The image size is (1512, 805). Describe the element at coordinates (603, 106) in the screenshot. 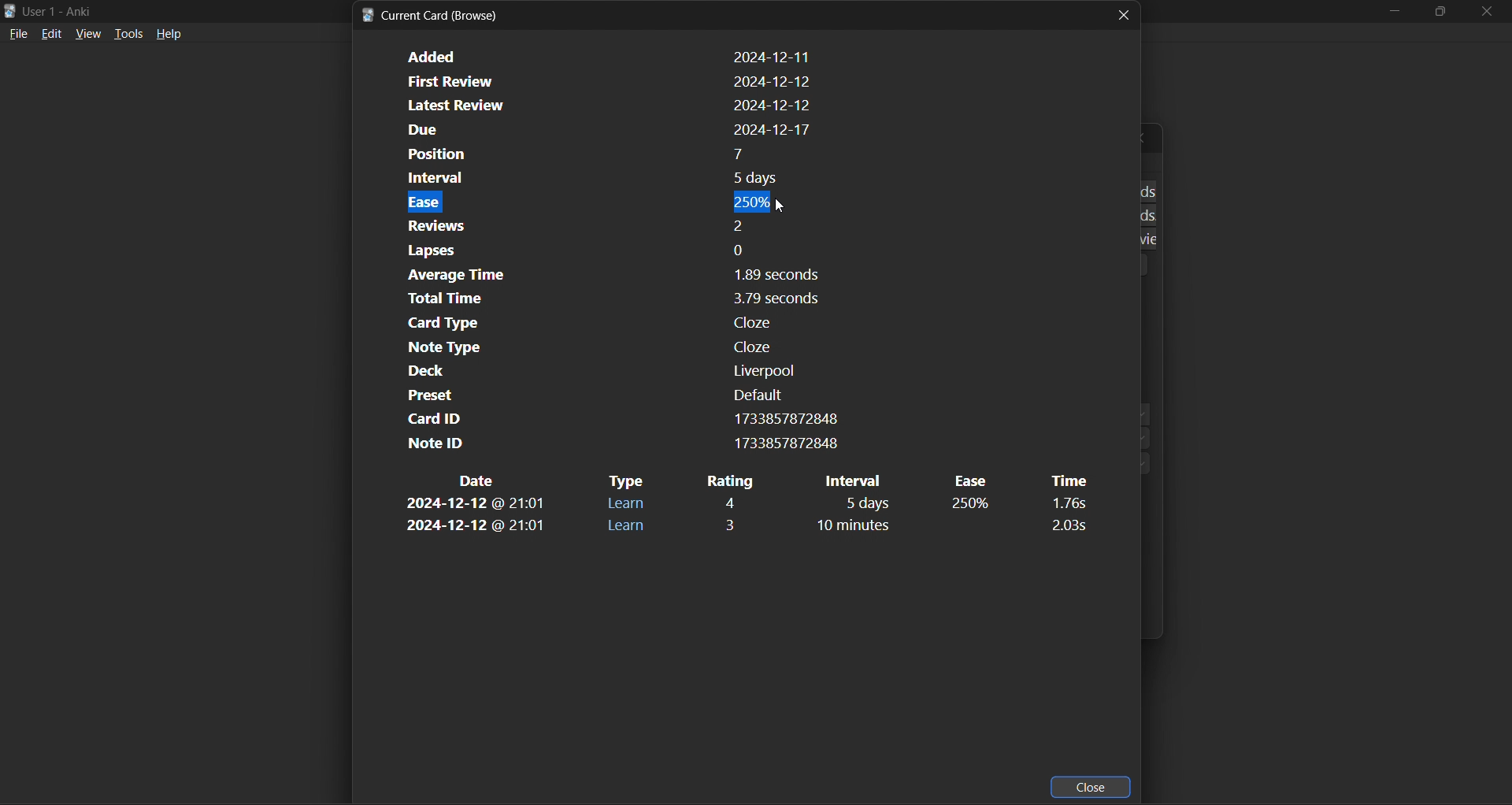

I see `card latest review date` at that location.